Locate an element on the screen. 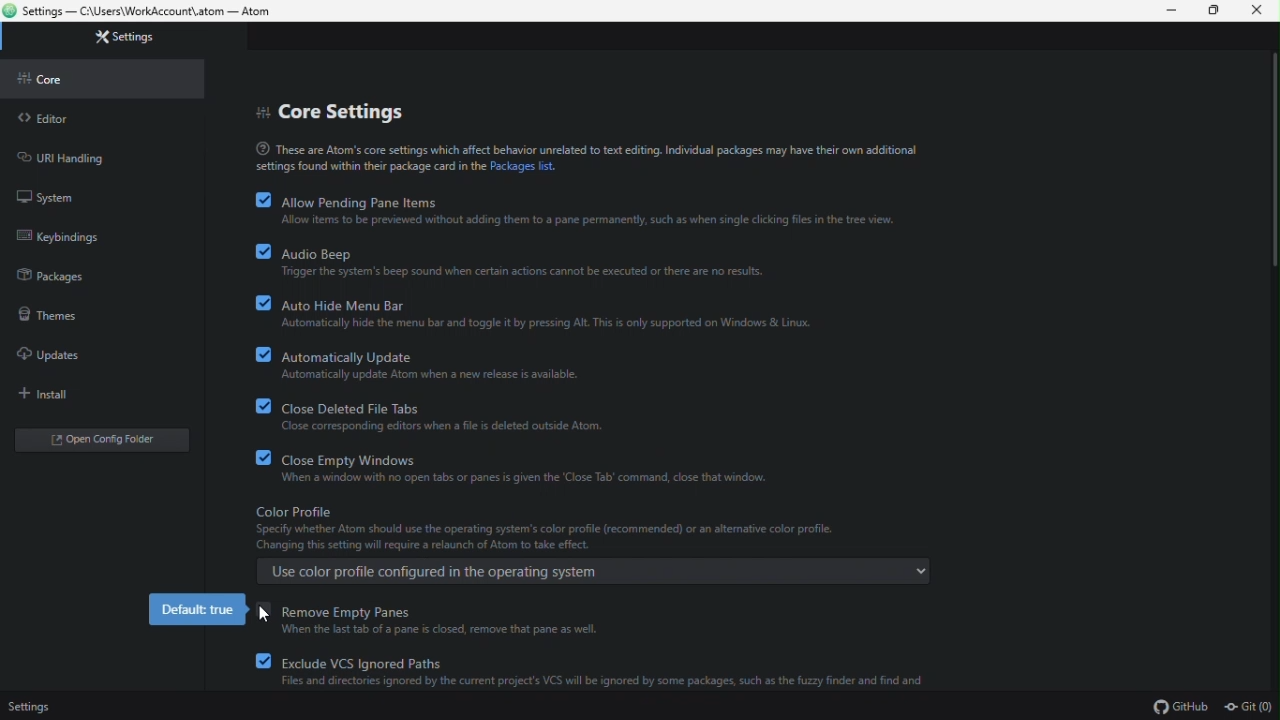 This screenshot has width=1280, height=720. checkbox is located at coordinates (263, 620).